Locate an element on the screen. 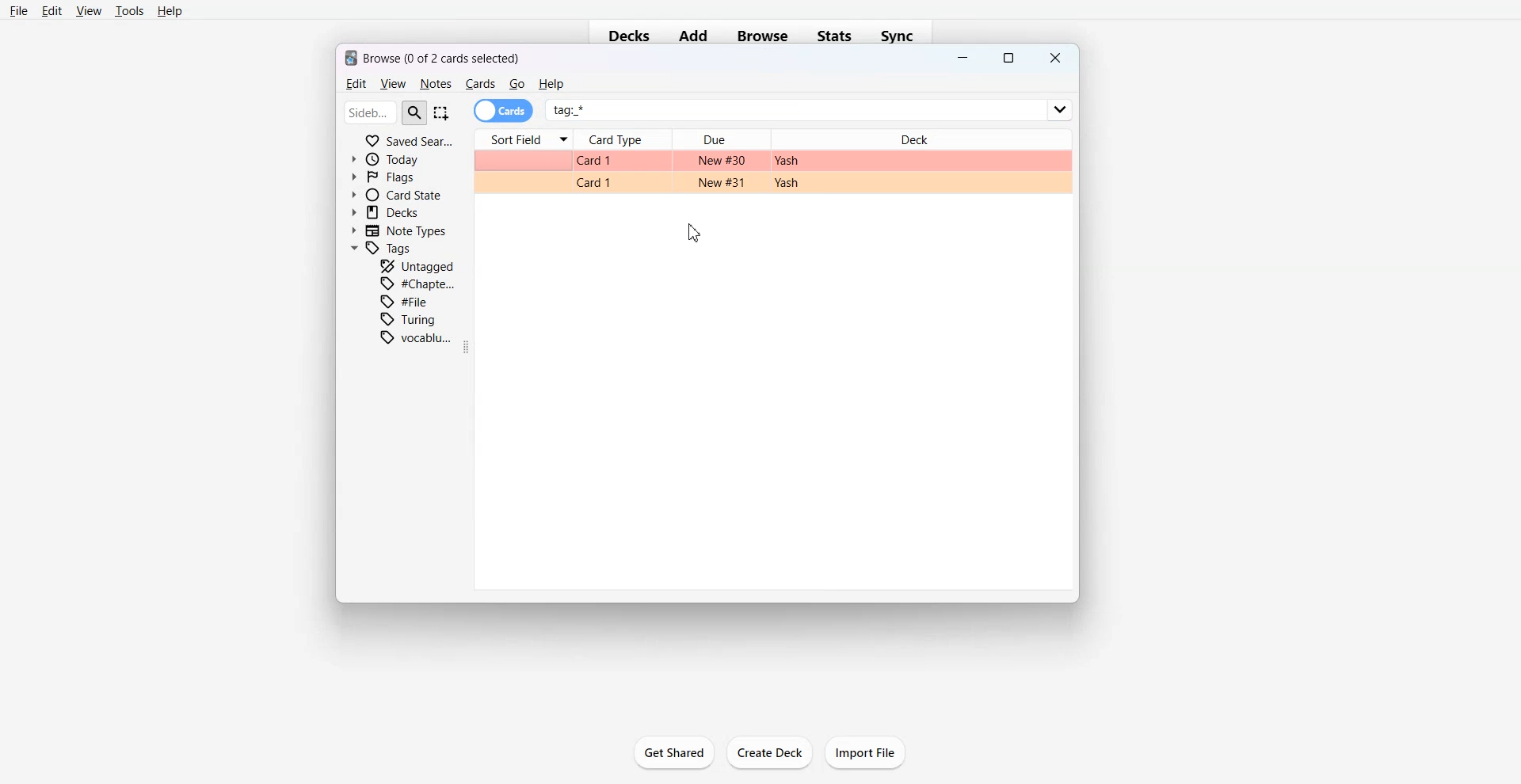  Untagged is located at coordinates (417, 265).